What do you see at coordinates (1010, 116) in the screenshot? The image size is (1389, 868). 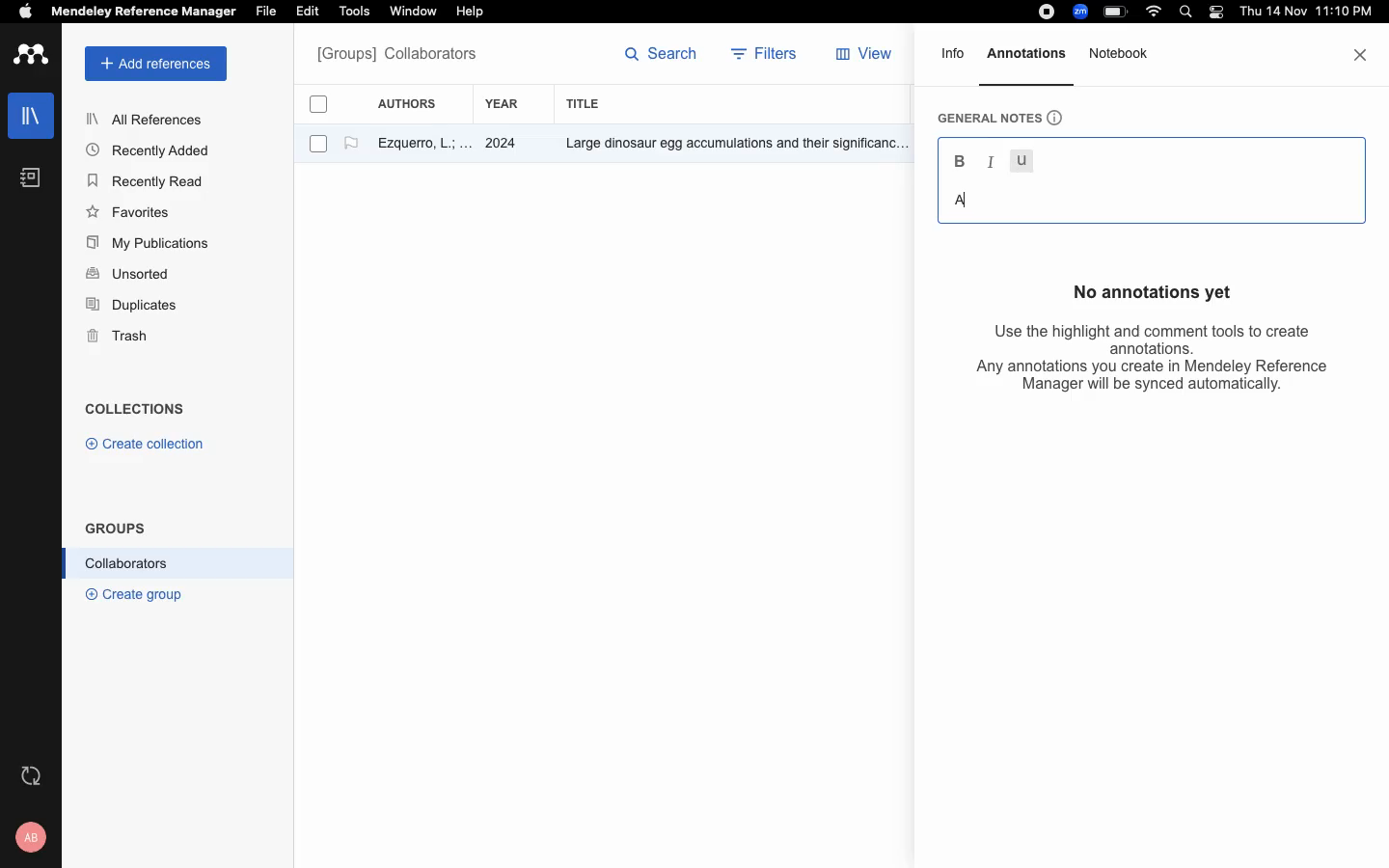 I see `general notes` at bounding box center [1010, 116].